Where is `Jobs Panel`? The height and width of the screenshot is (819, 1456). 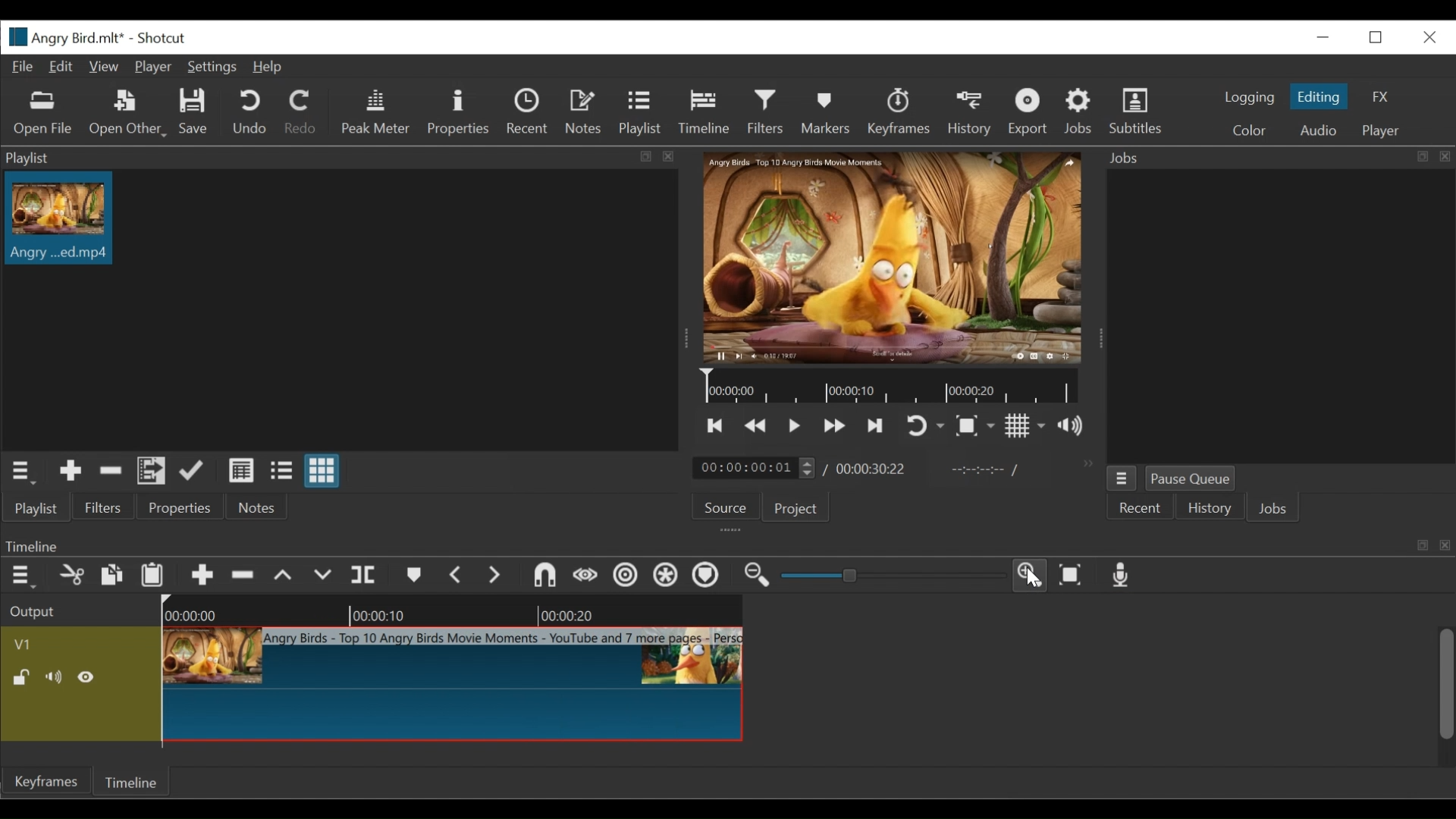
Jobs Panel is located at coordinates (1278, 157).